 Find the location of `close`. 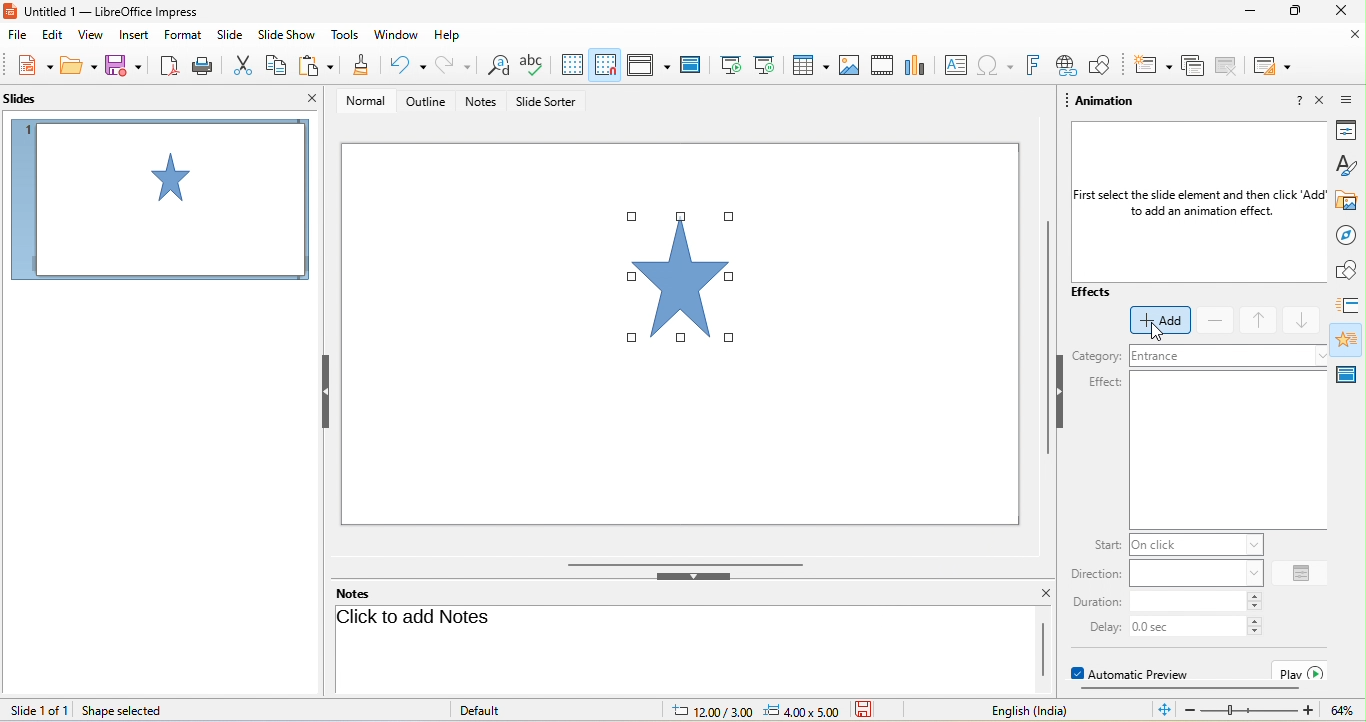

close is located at coordinates (1345, 10).